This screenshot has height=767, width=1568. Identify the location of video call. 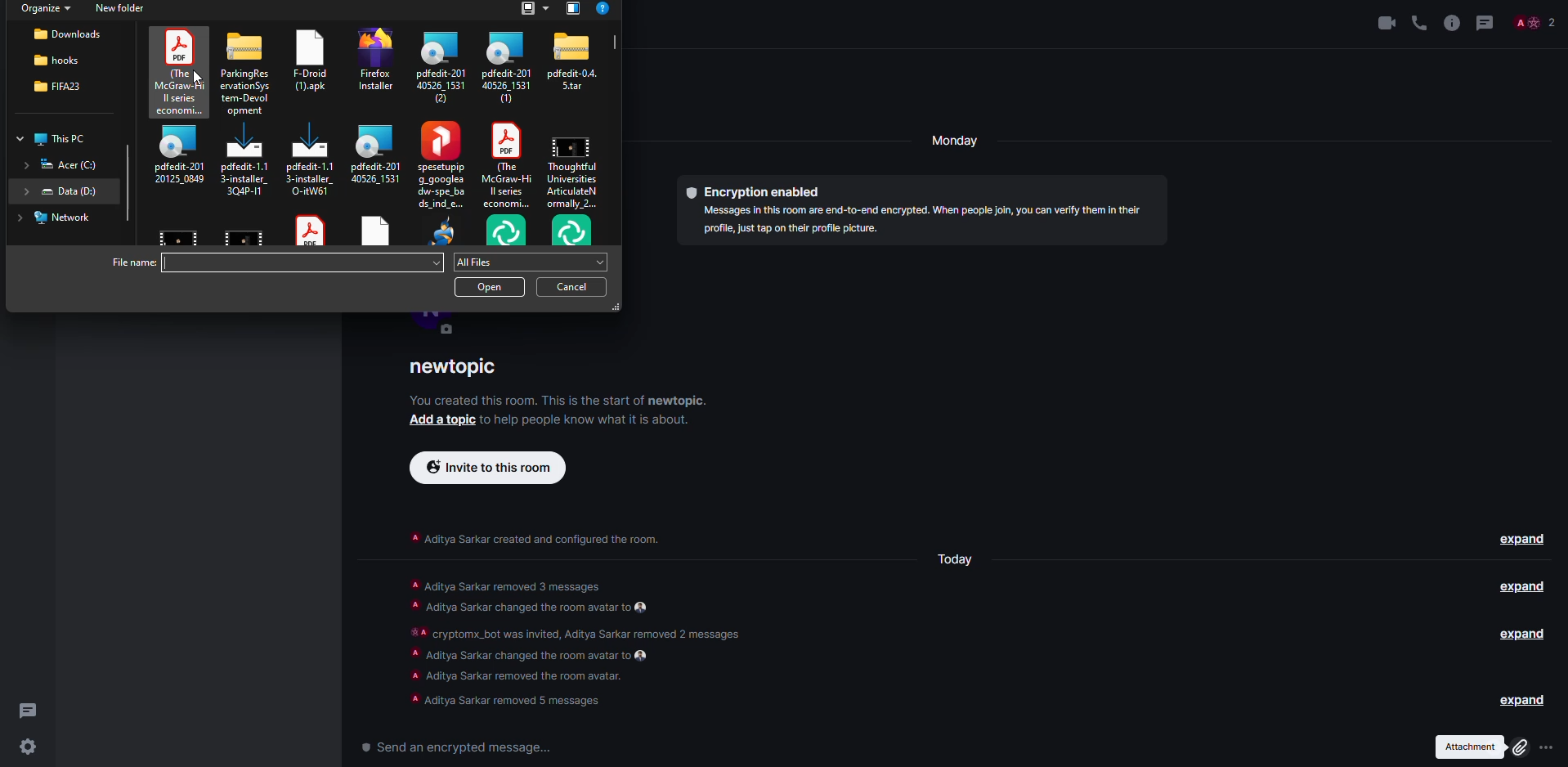
(1382, 23).